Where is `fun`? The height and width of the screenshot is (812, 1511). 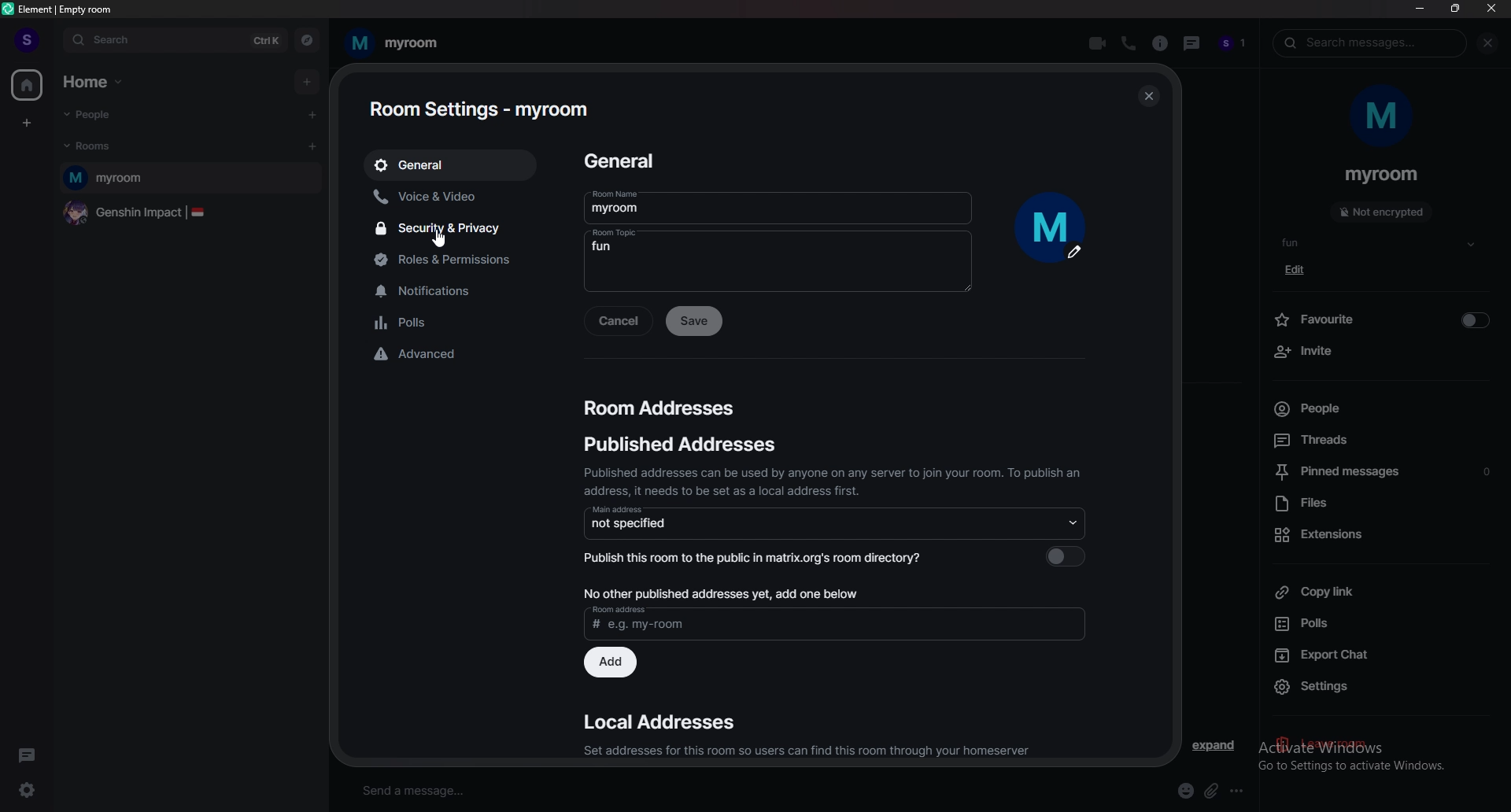
fun is located at coordinates (781, 259).